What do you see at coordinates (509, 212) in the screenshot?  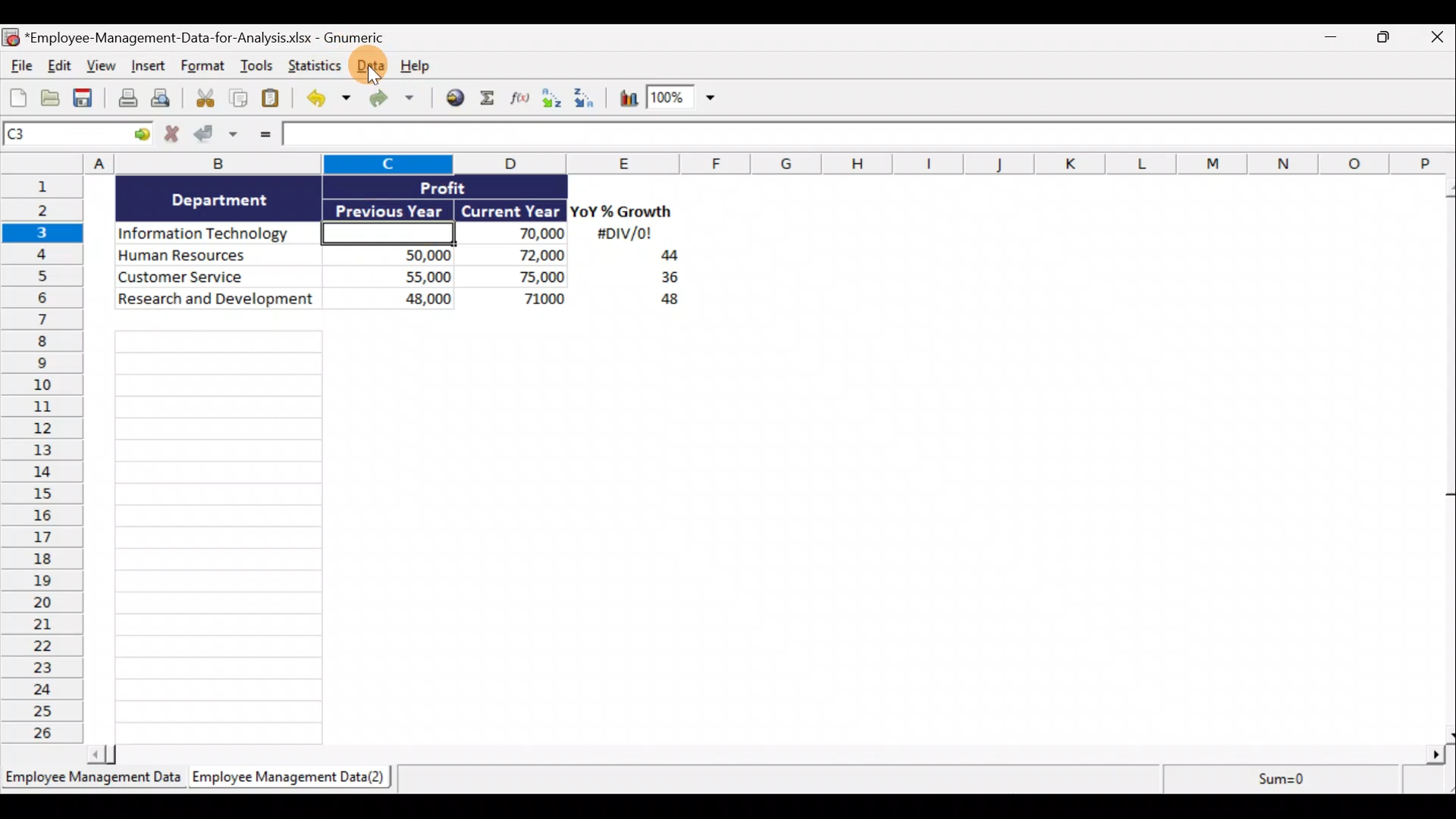 I see `Current Year` at bounding box center [509, 212].